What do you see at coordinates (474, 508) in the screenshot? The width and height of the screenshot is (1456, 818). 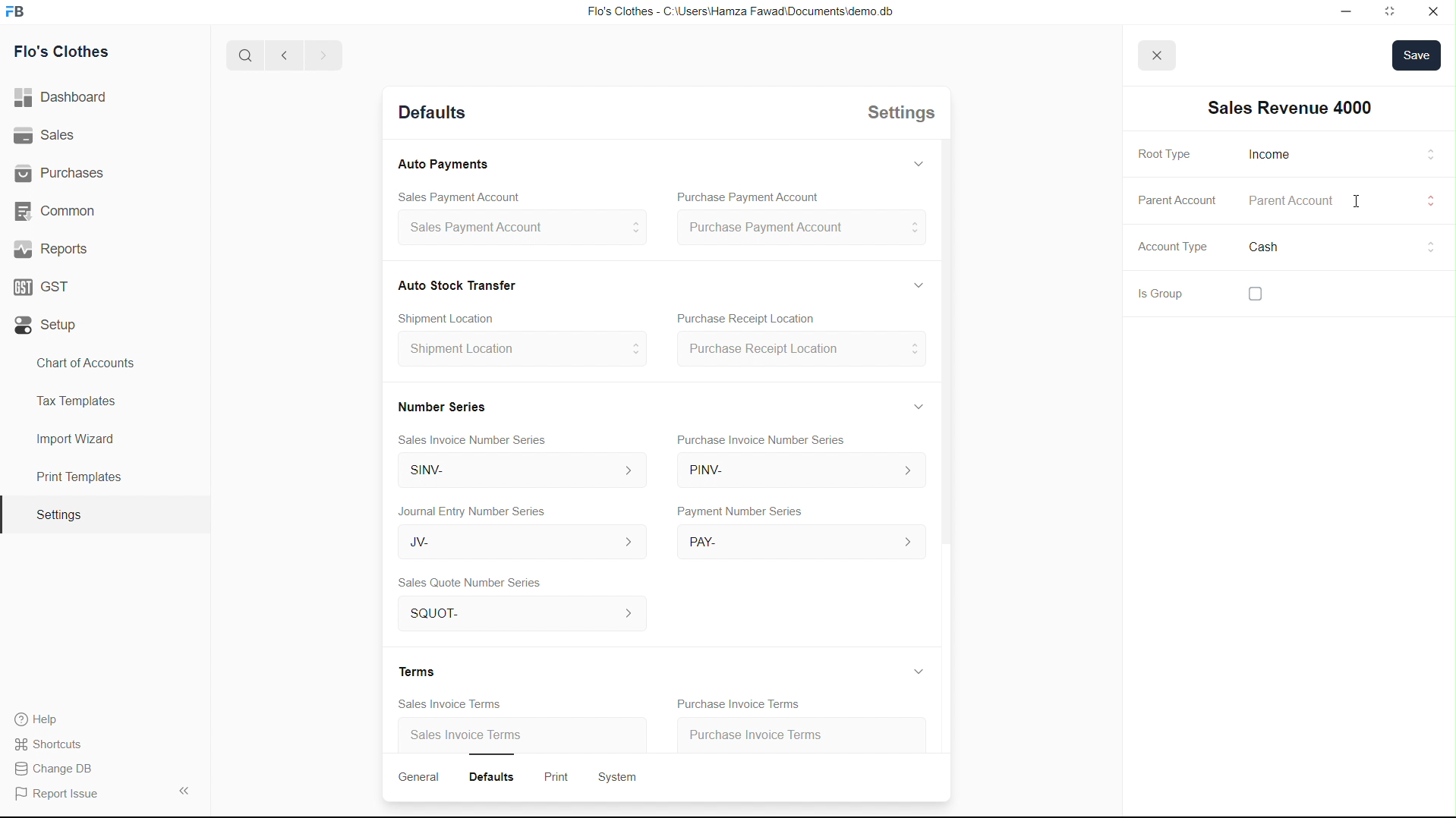 I see `Journal Entry Number Series` at bounding box center [474, 508].